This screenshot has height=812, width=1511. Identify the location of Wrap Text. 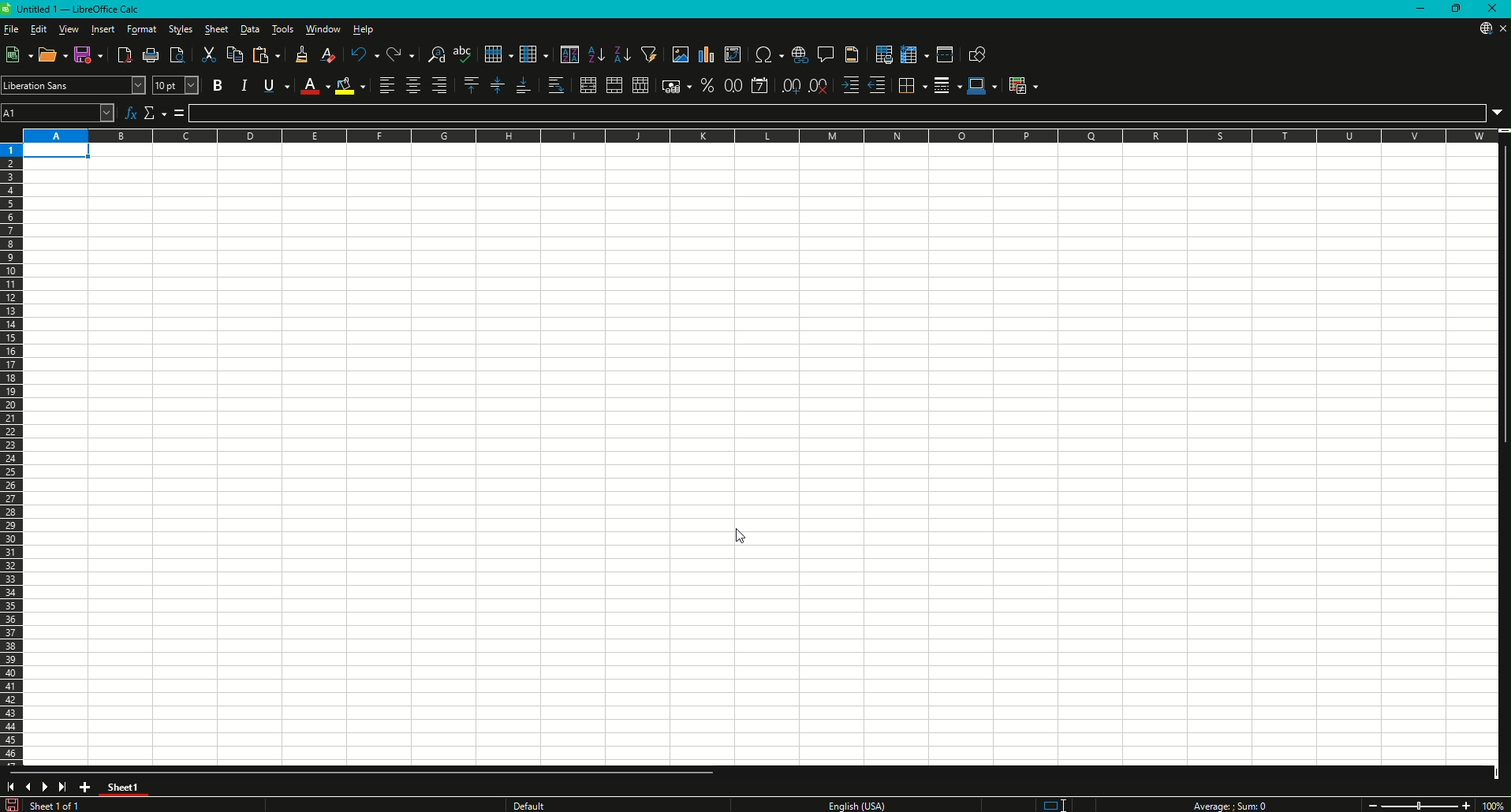
(556, 85).